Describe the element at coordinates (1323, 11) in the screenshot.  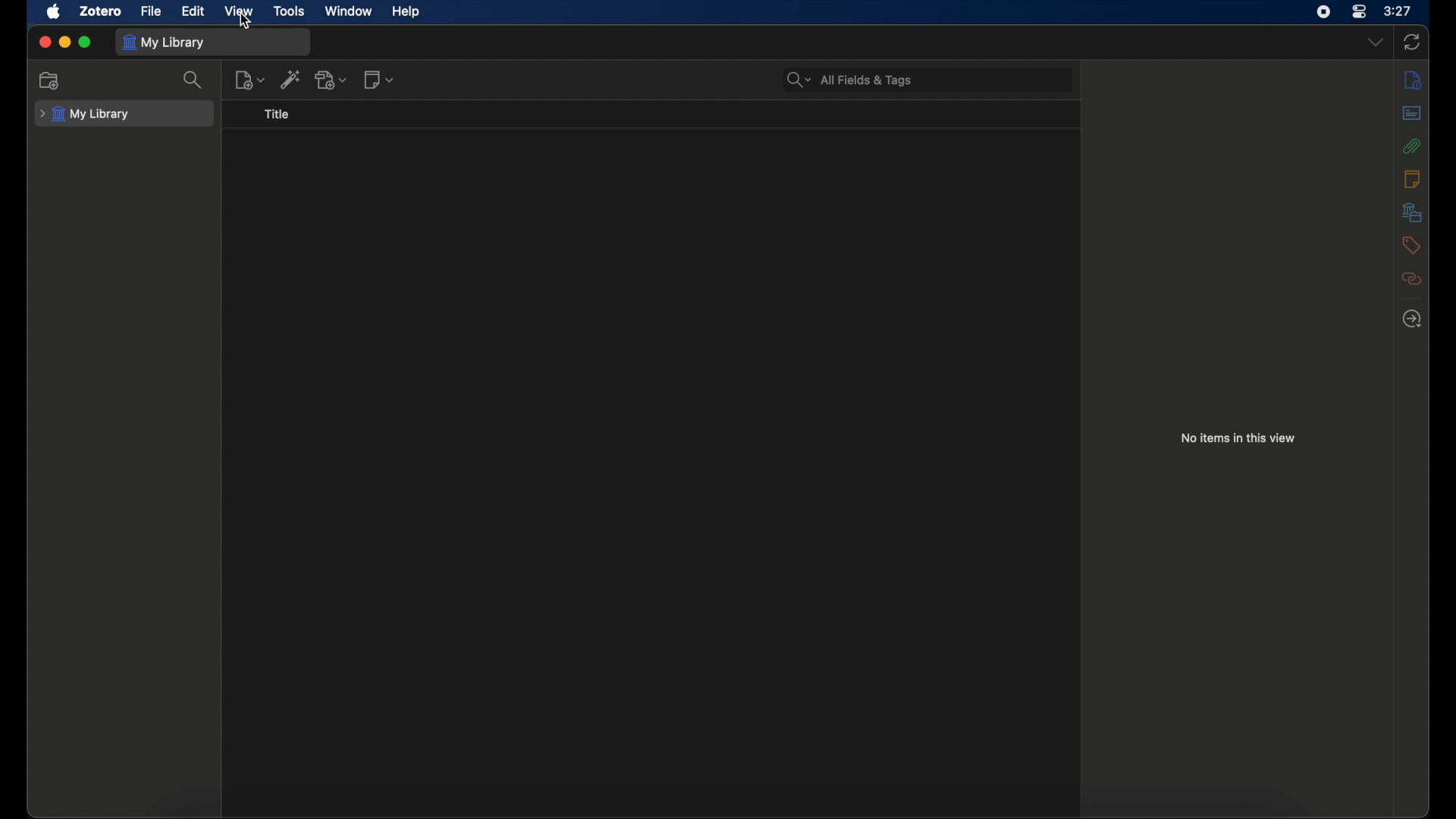
I see `screen recorder ` at that location.